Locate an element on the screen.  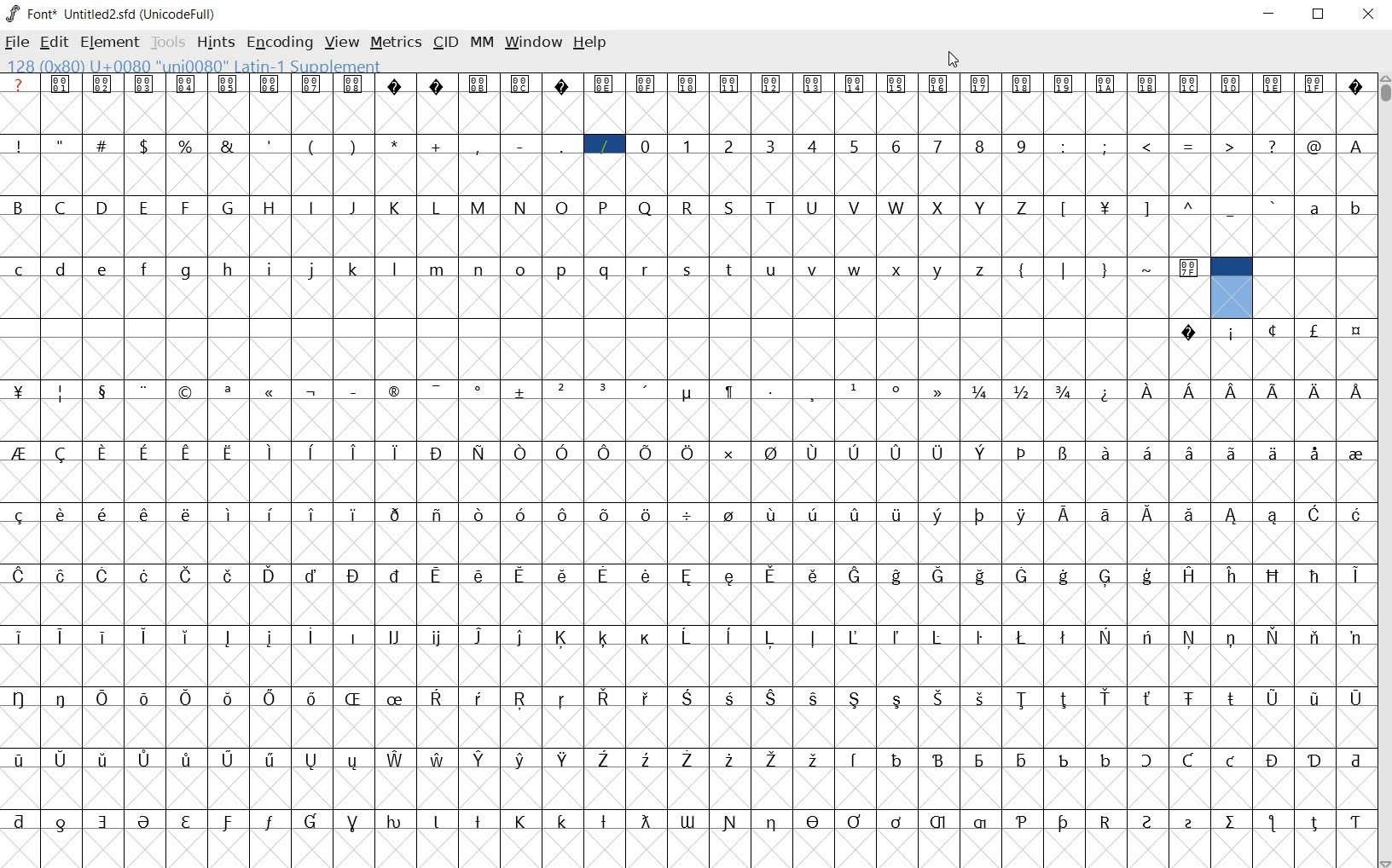
& is located at coordinates (229, 146).